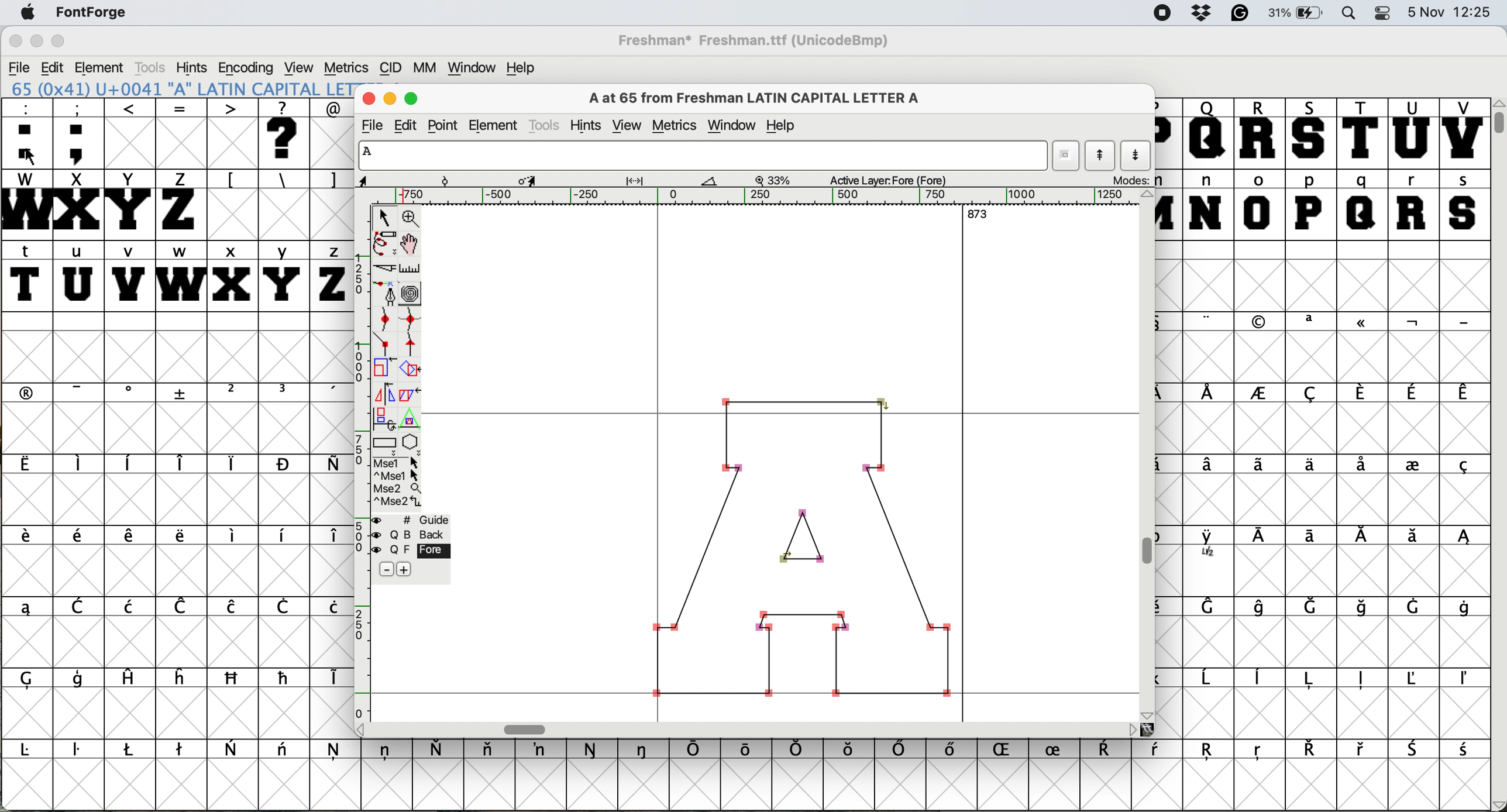 The height and width of the screenshot is (812, 1507). What do you see at coordinates (1261, 132) in the screenshot?
I see `R` at bounding box center [1261, 132].